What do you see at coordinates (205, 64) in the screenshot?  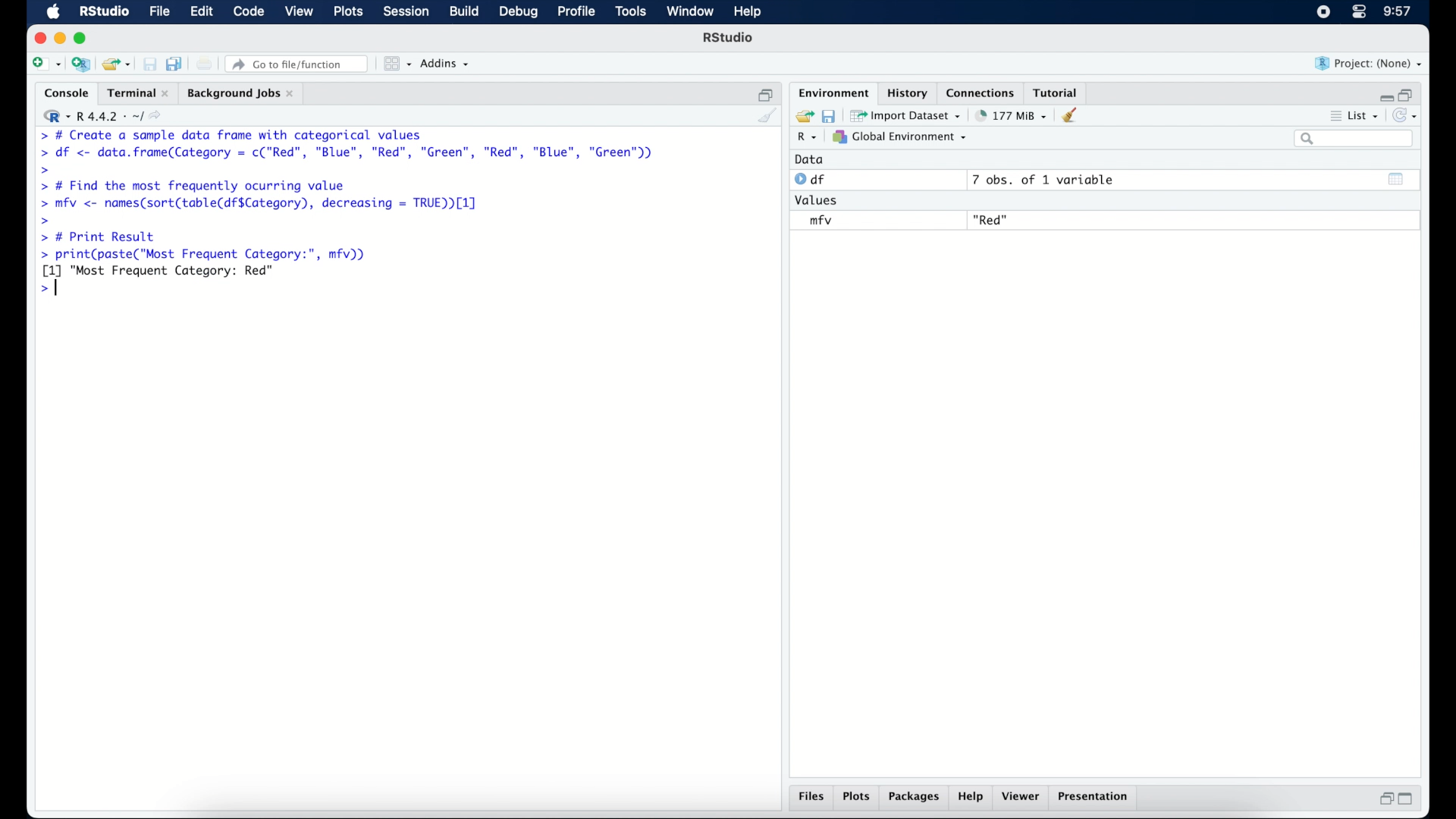 I see `print` at bounding box center [205, 64].